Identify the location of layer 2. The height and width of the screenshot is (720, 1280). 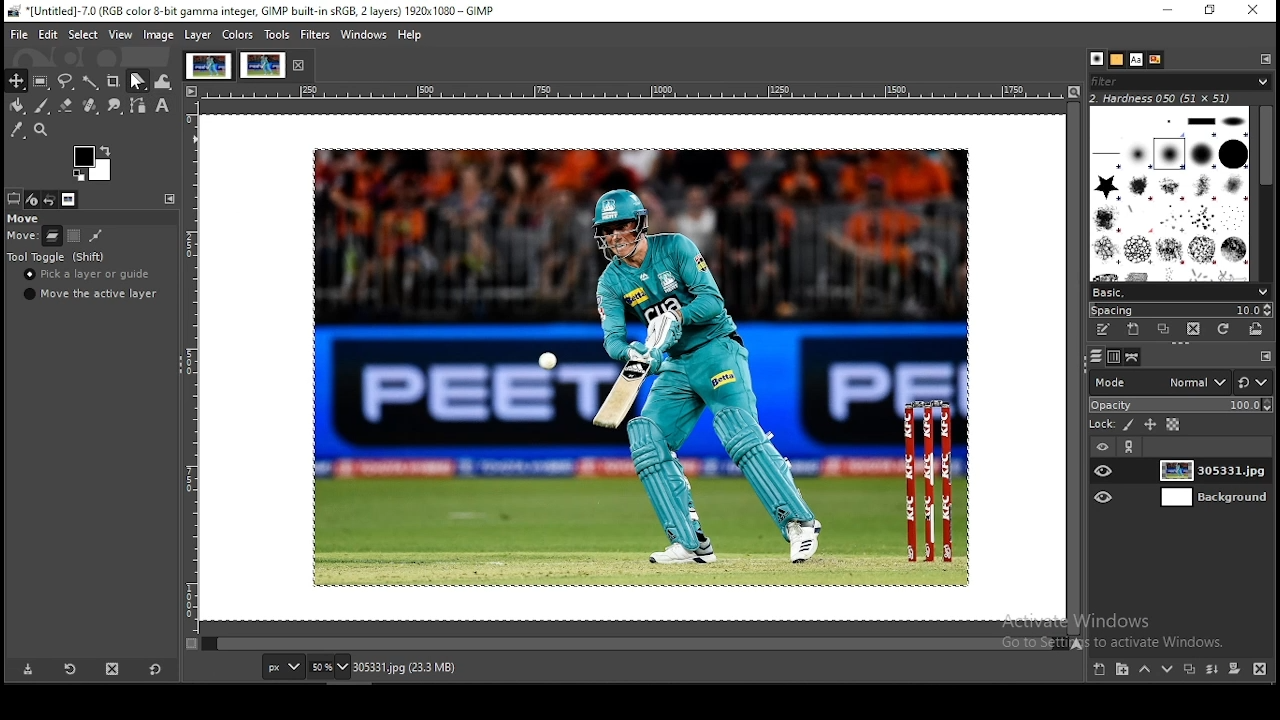
(1207, 499).